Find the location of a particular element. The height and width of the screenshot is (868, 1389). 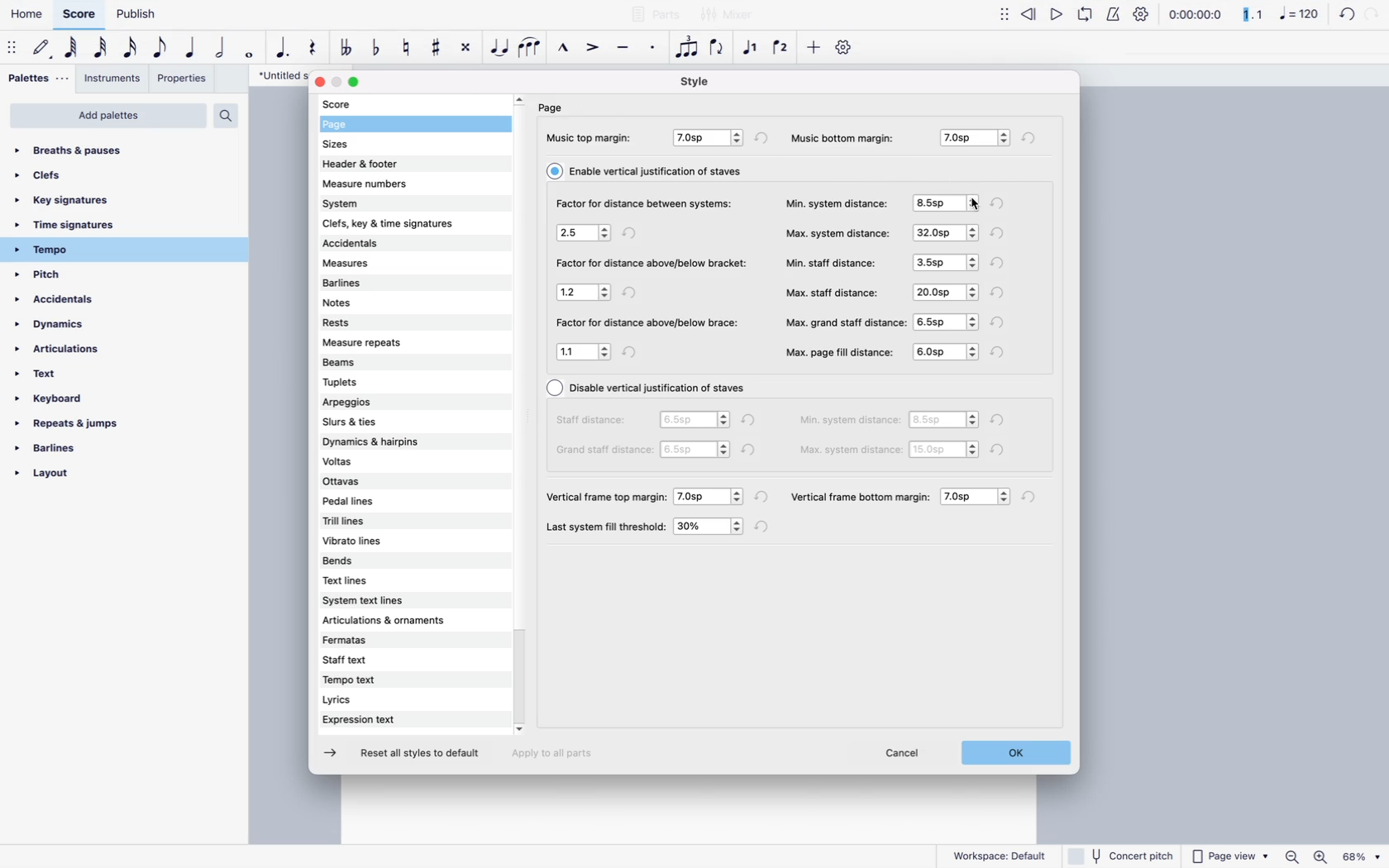

move is located at coordinates (13, 50).